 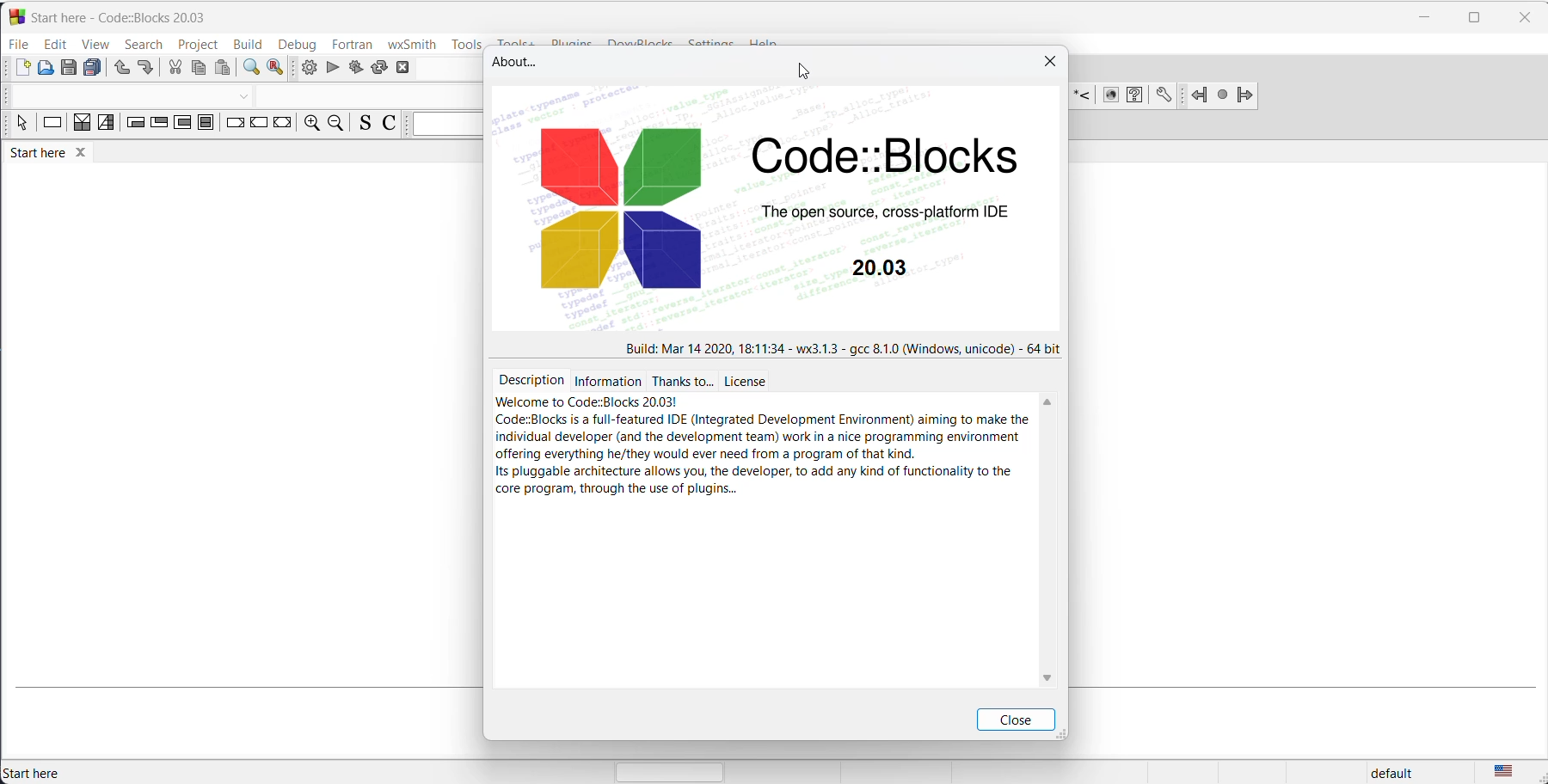 I want to click on close, so click(x=1521, y=18).